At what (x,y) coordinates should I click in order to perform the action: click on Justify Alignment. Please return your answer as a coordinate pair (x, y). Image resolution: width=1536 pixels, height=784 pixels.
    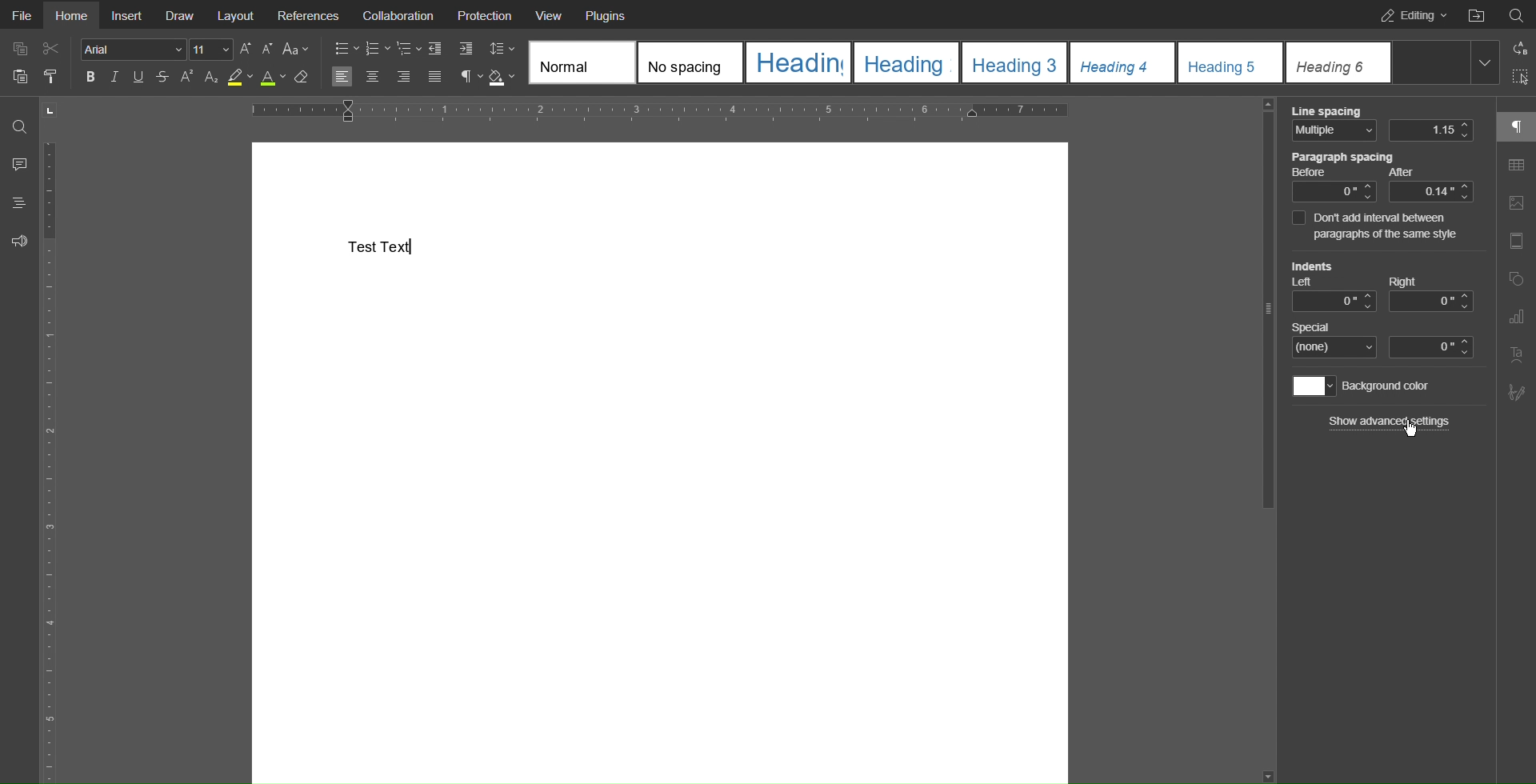
    Looking at the image, I should click on (434, 78).